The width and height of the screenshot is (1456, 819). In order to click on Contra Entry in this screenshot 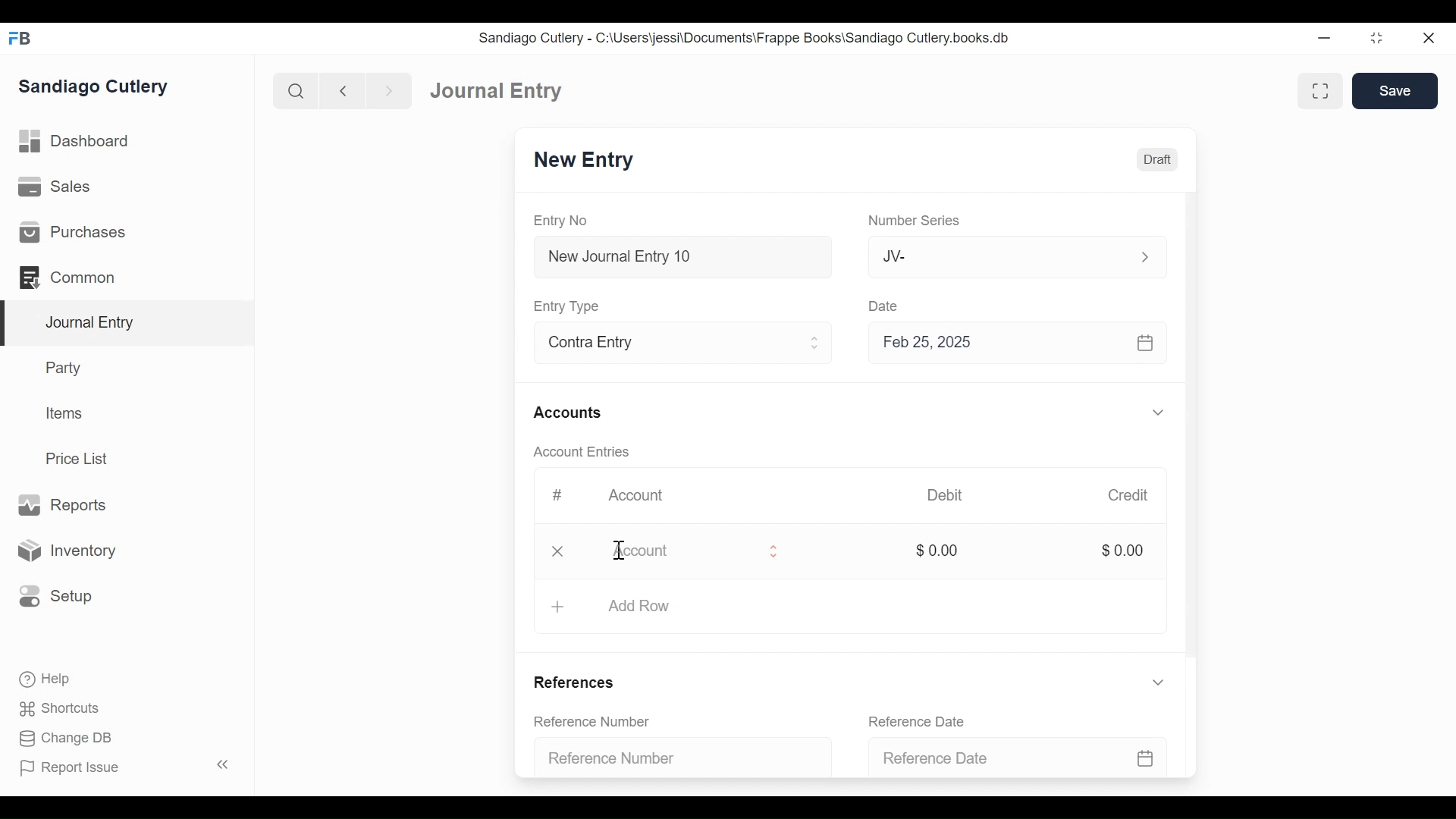, I will do `click(662, 344)`.